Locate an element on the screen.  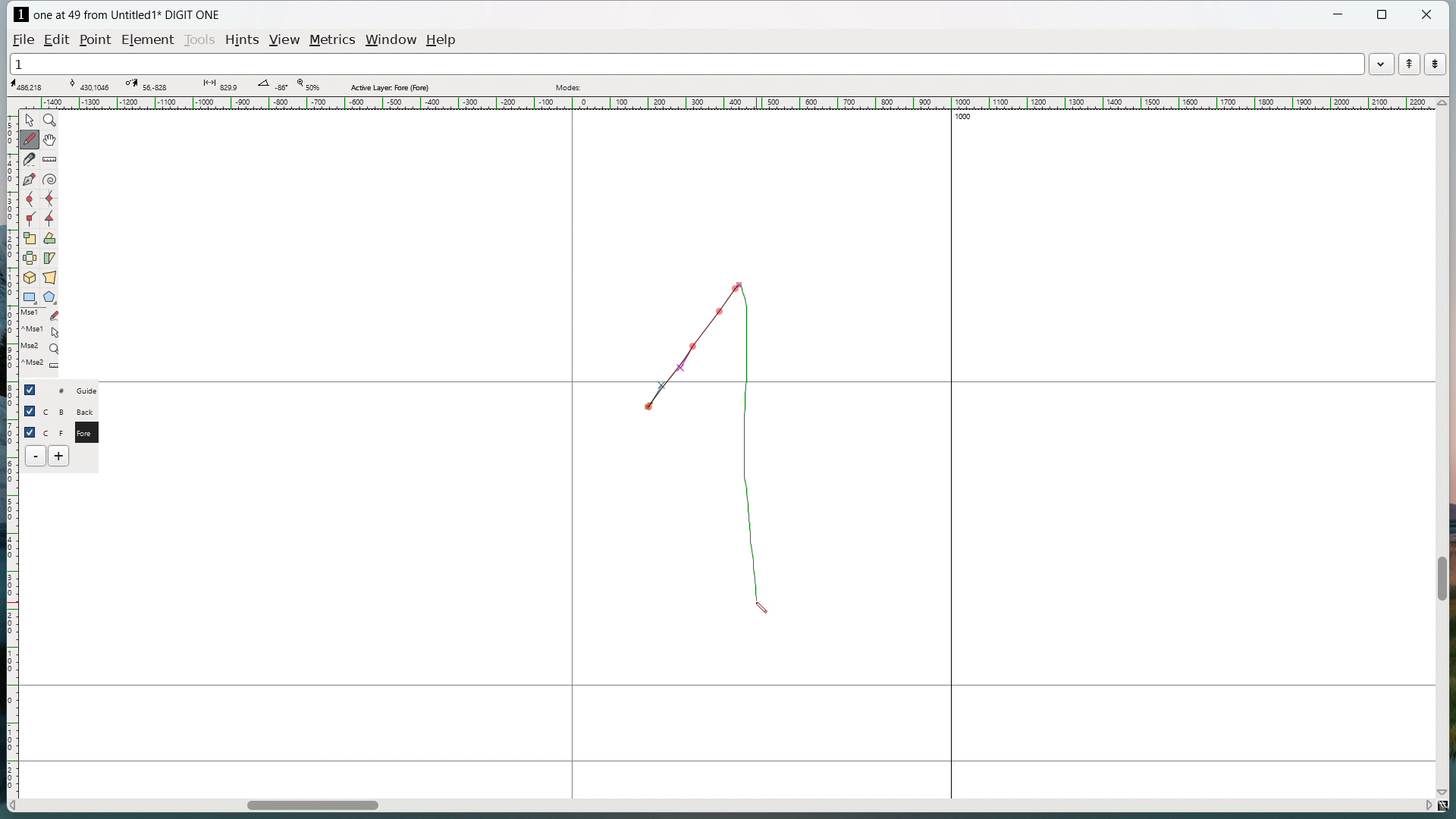
polygon/star is located at coordinates (50, 297).